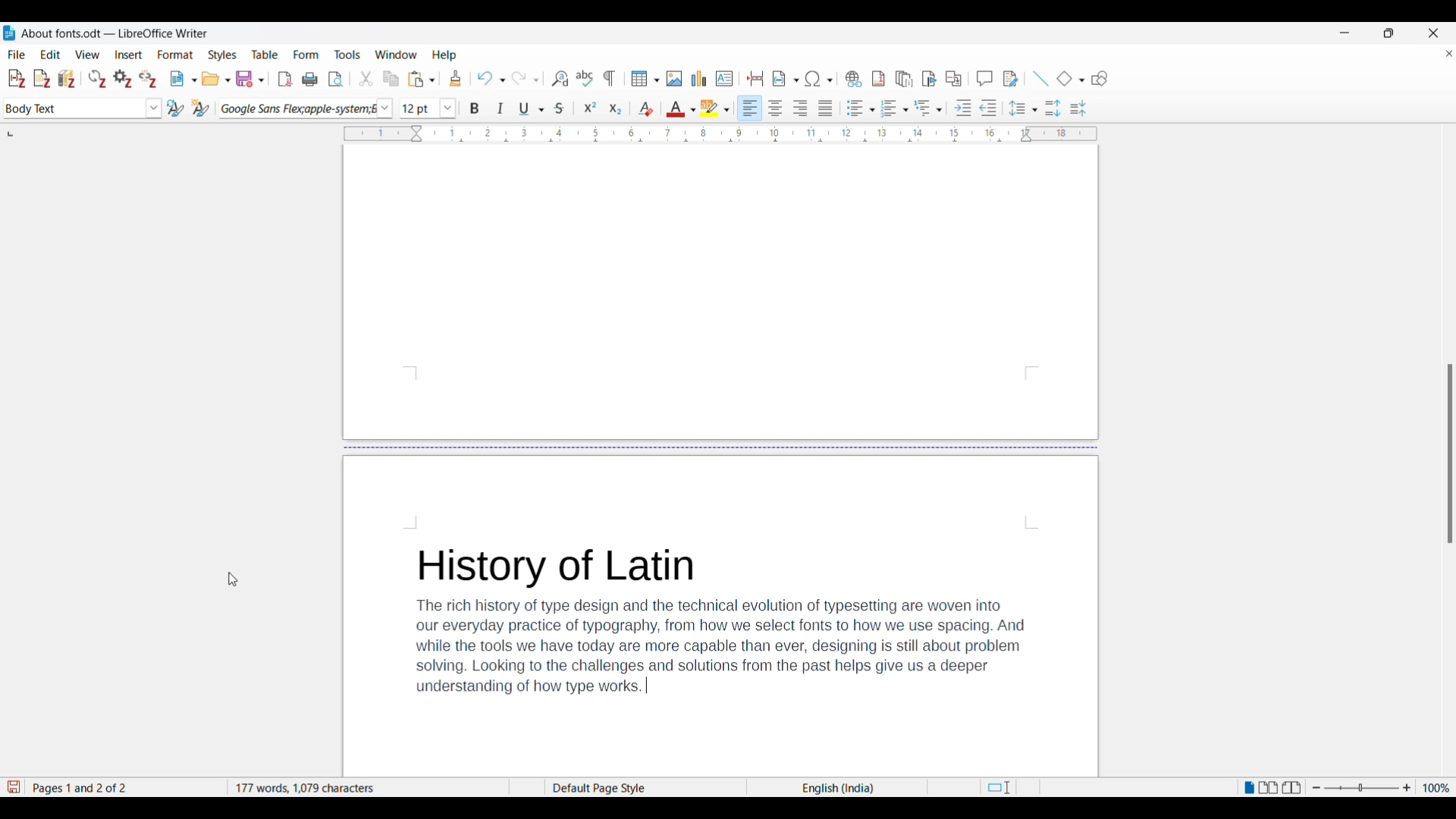  What do you see at coordinates (115, 33) in the screenshot?
I see `About fonts.odt- LibreOffice Writer` at bounding box center [115, 33].